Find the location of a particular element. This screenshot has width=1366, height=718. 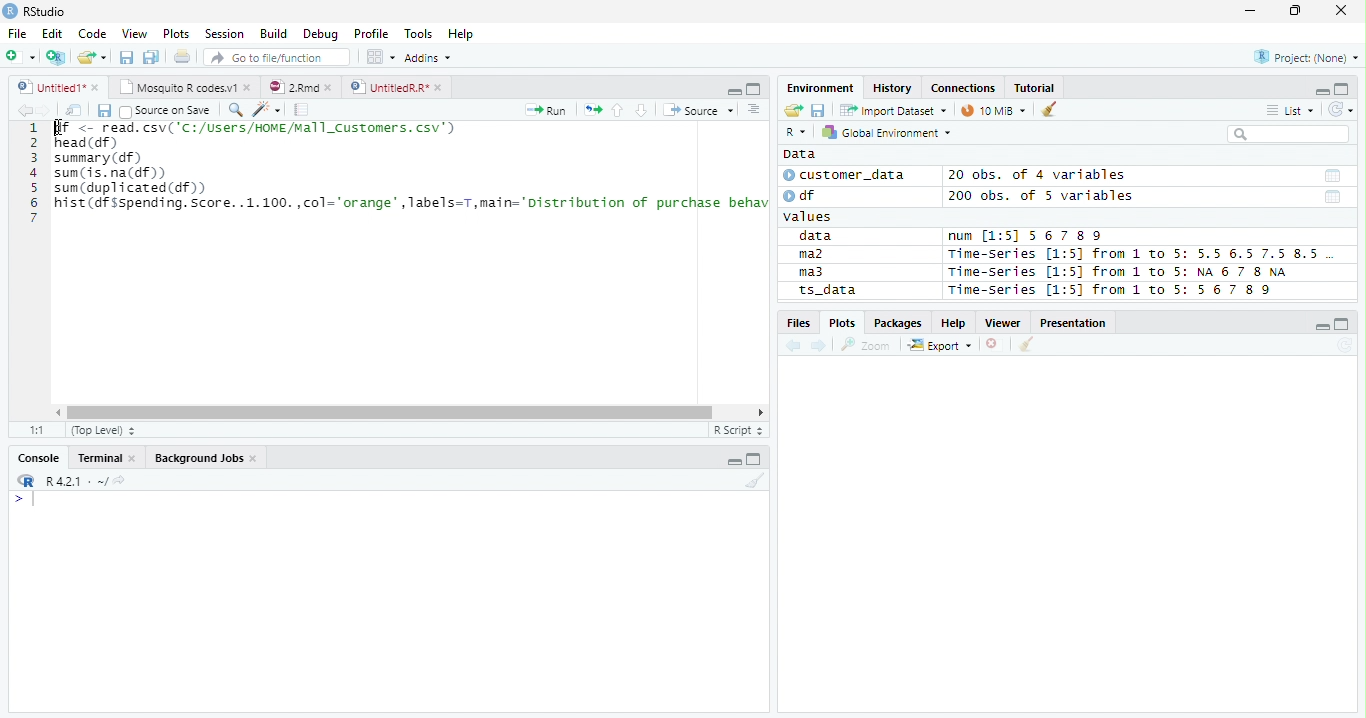

Presentation is located at coordinates (1076, 323).